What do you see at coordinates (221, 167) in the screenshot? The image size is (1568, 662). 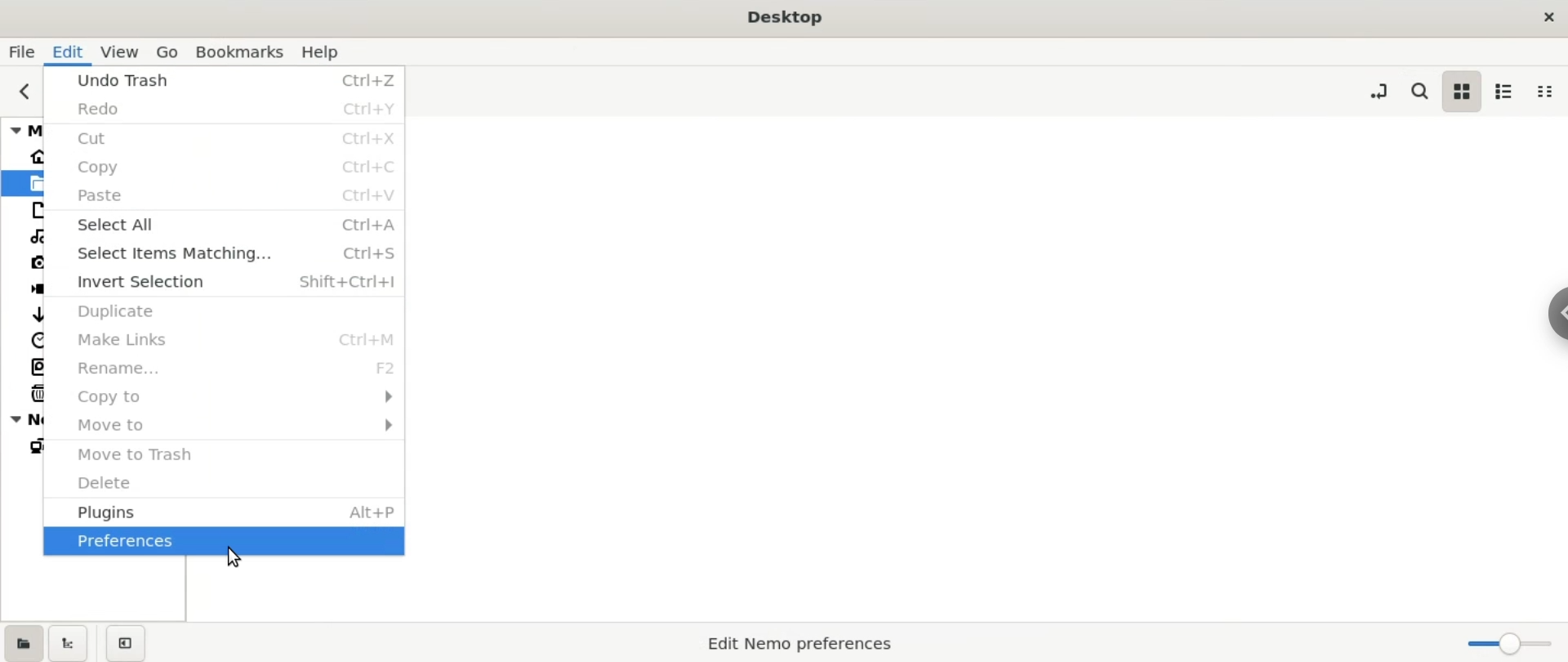 I see `copy` at bounding box center [221, 167].